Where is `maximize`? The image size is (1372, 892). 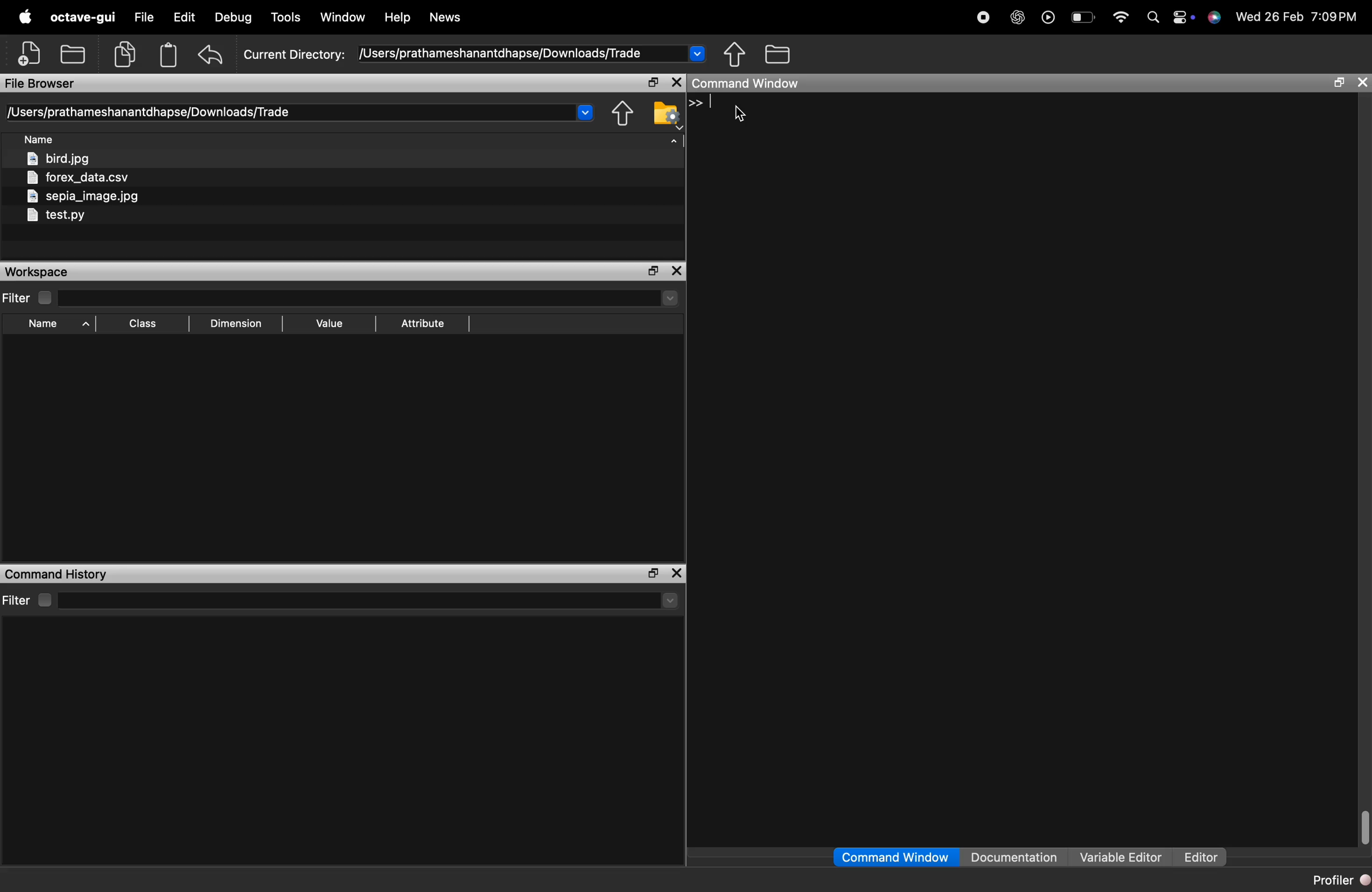 maximize is located at coordinates (653, 271).